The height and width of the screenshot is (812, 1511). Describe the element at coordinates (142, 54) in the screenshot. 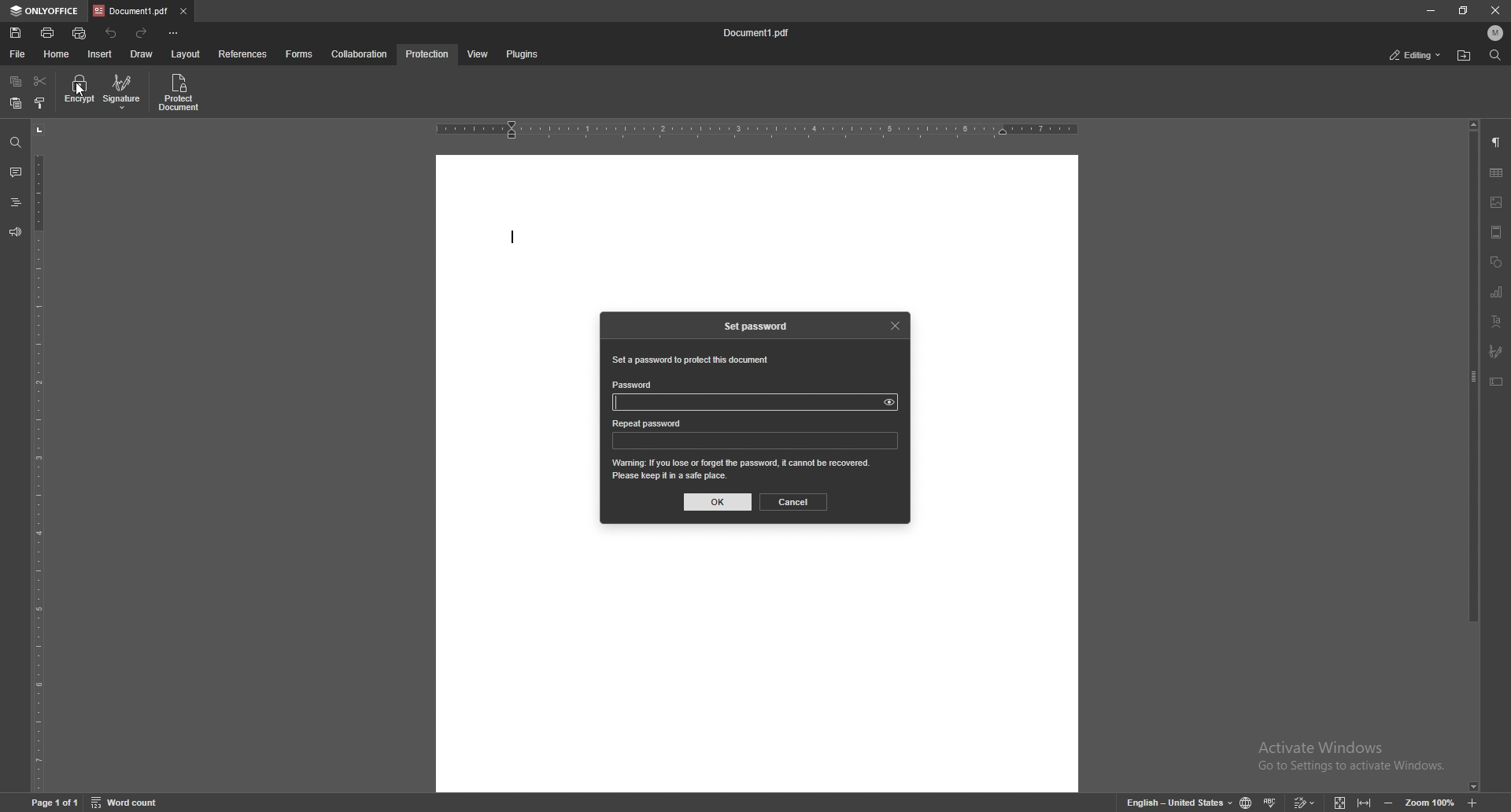

I see `draw` at that location.